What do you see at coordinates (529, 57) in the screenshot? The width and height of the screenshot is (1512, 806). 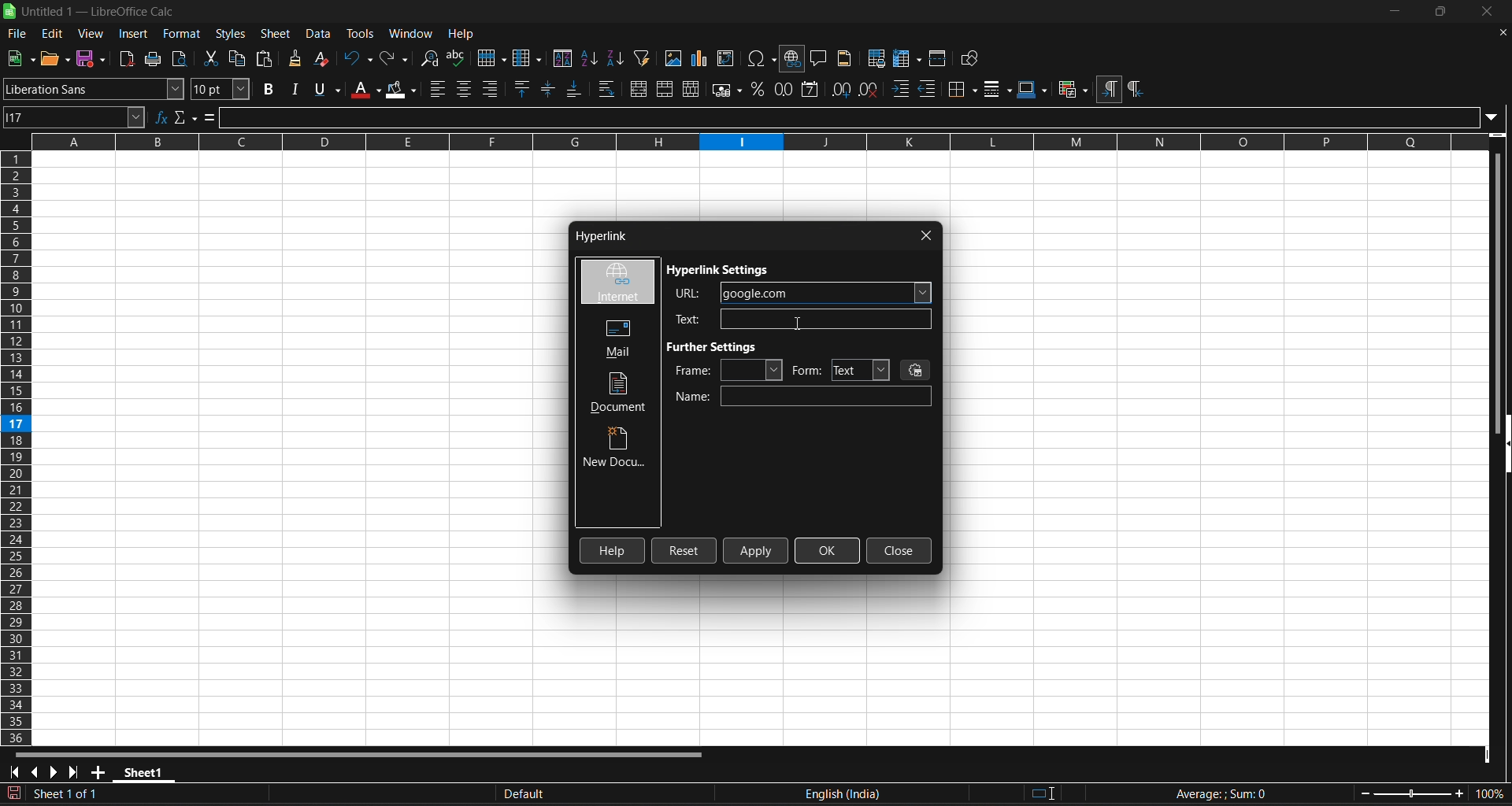 I see `column` at bounding box center [529, 57].